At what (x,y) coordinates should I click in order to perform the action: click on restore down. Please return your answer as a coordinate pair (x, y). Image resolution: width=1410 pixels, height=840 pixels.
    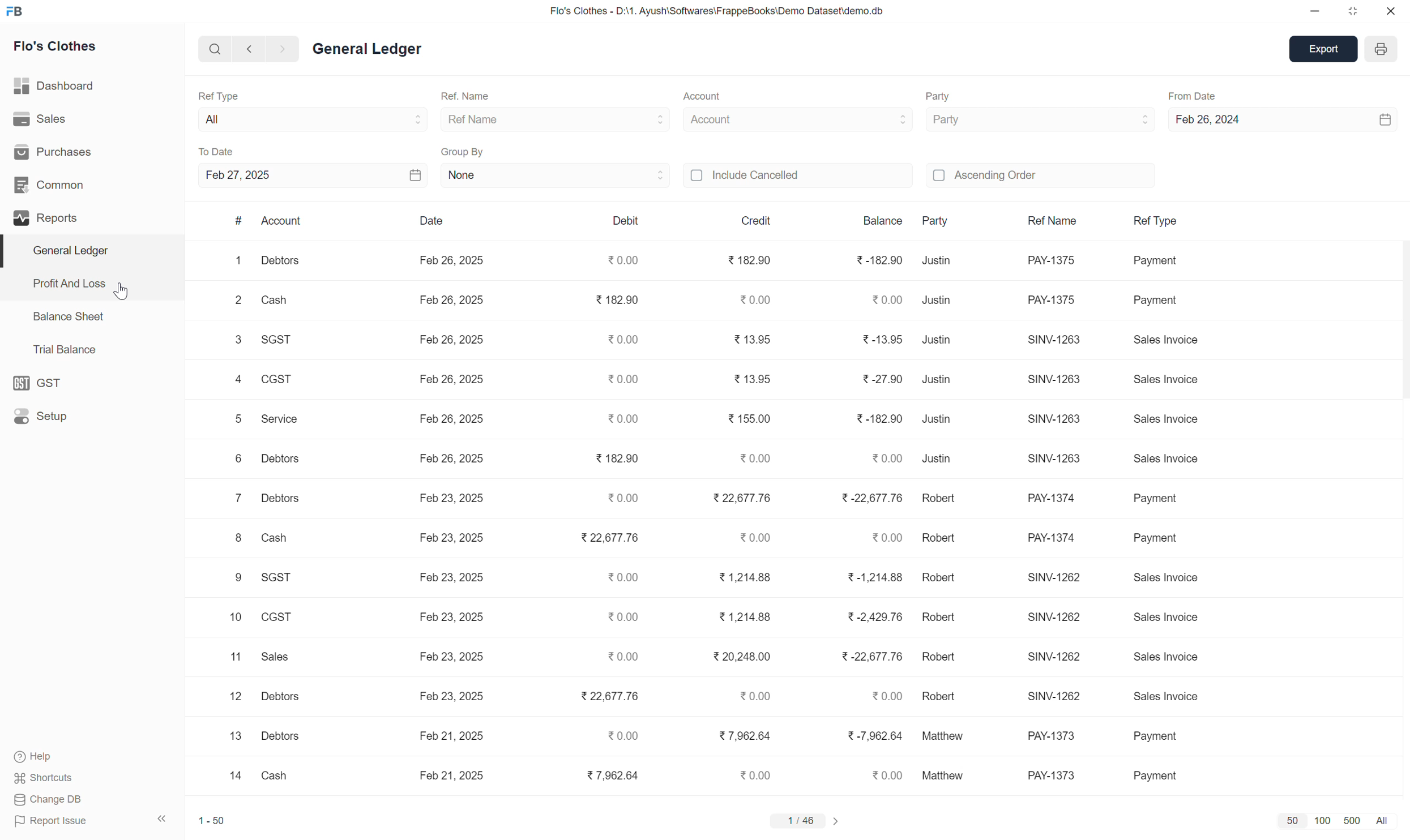
    Looking at the image, I should click on (1353, 10).